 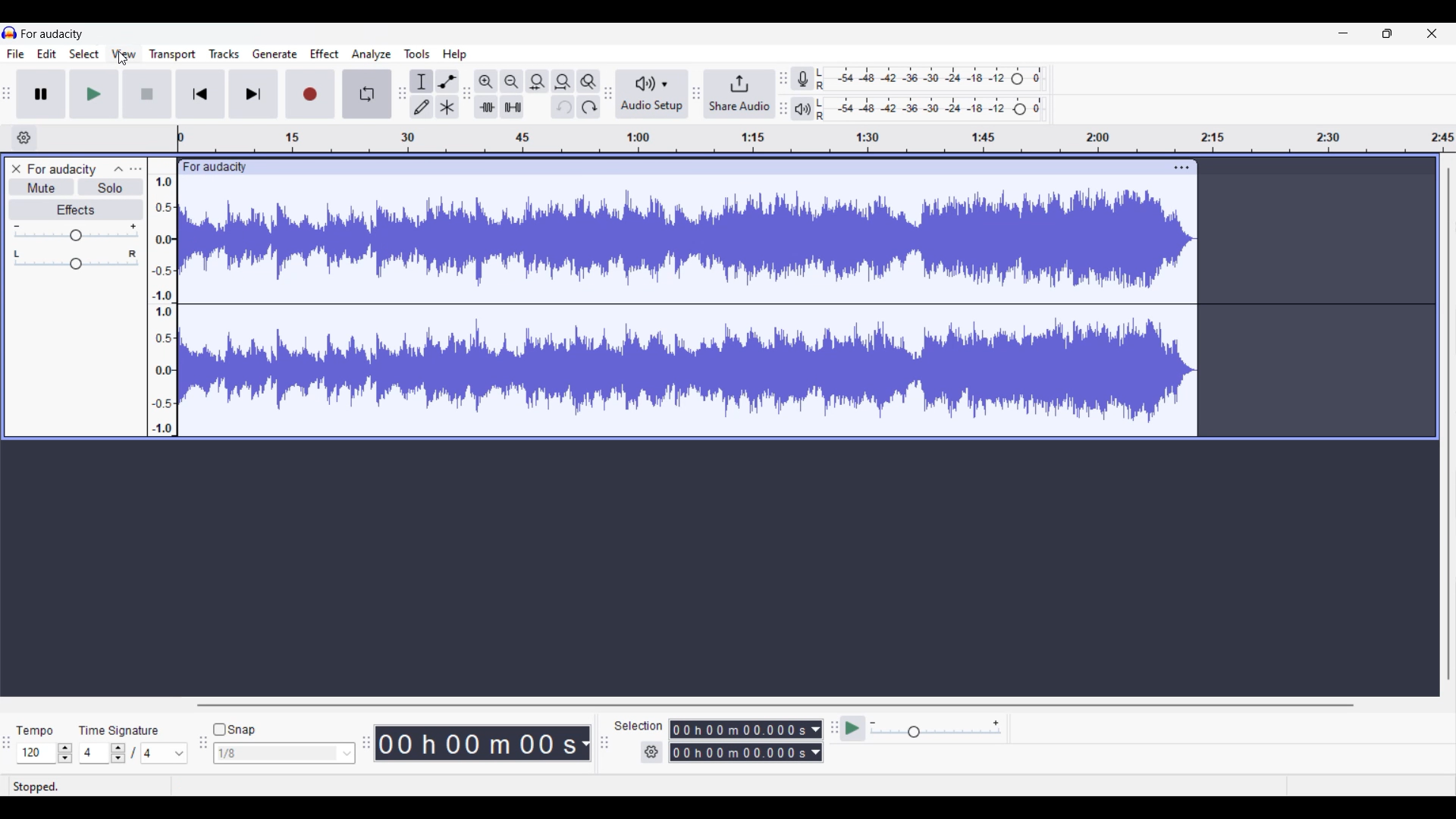 What do you see at coordinates (275, 54) in the screenshot?
I see `Generate` at bounding box center [275, 54].